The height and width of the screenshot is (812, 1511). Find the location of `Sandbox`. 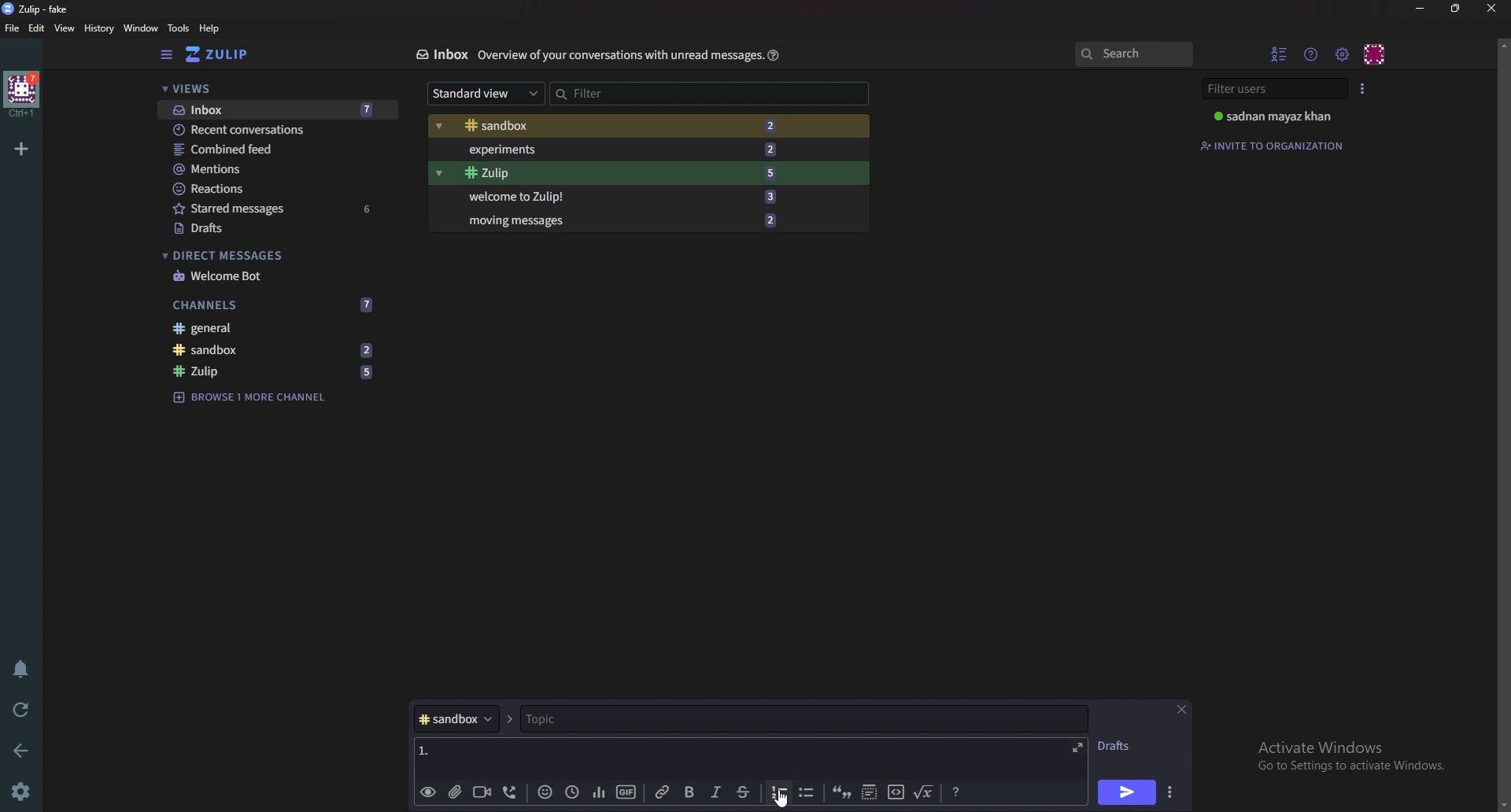

Sandbox is located at coordinates (622, 126).